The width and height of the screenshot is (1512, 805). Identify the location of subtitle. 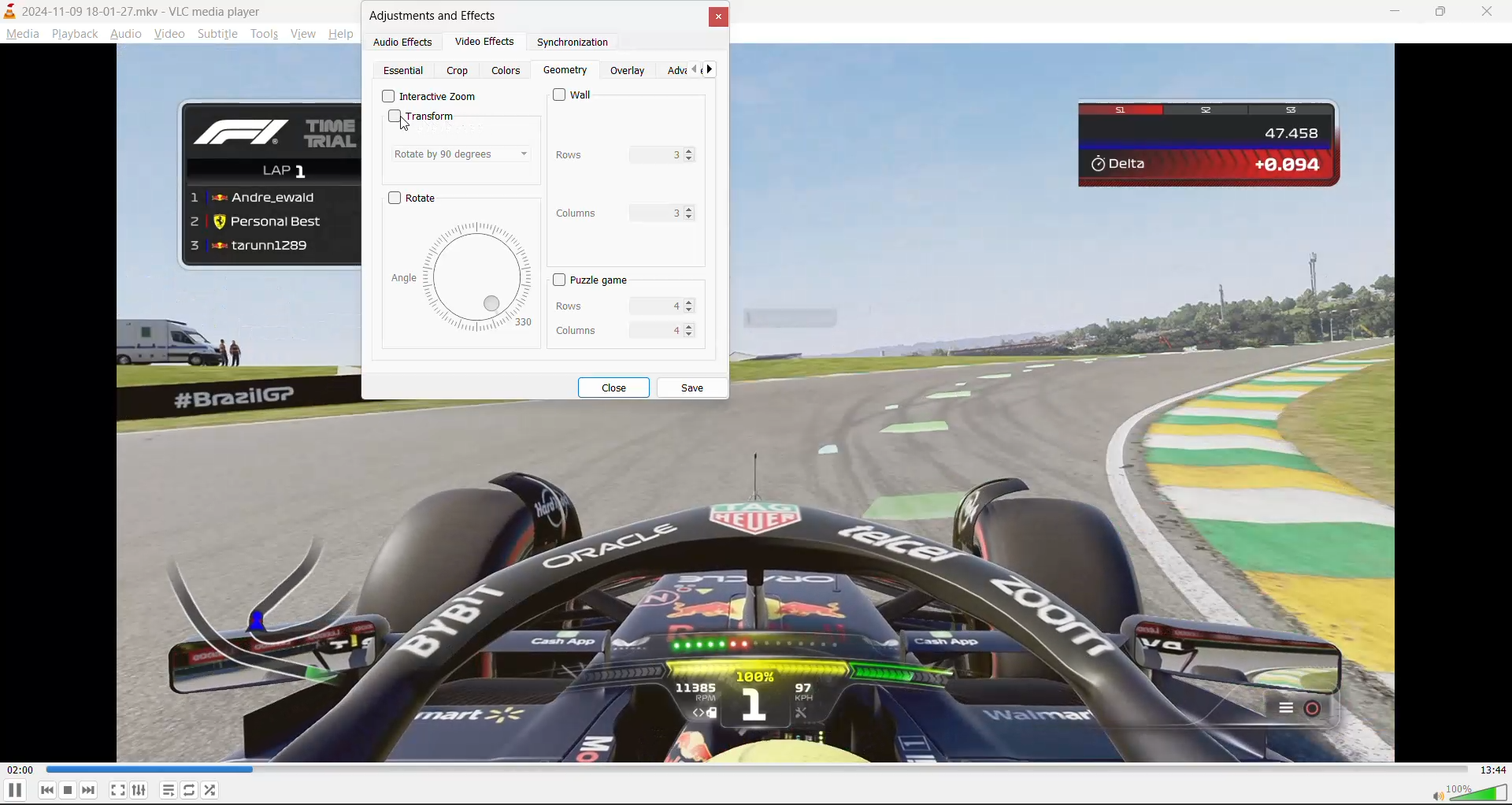
(220, 35).